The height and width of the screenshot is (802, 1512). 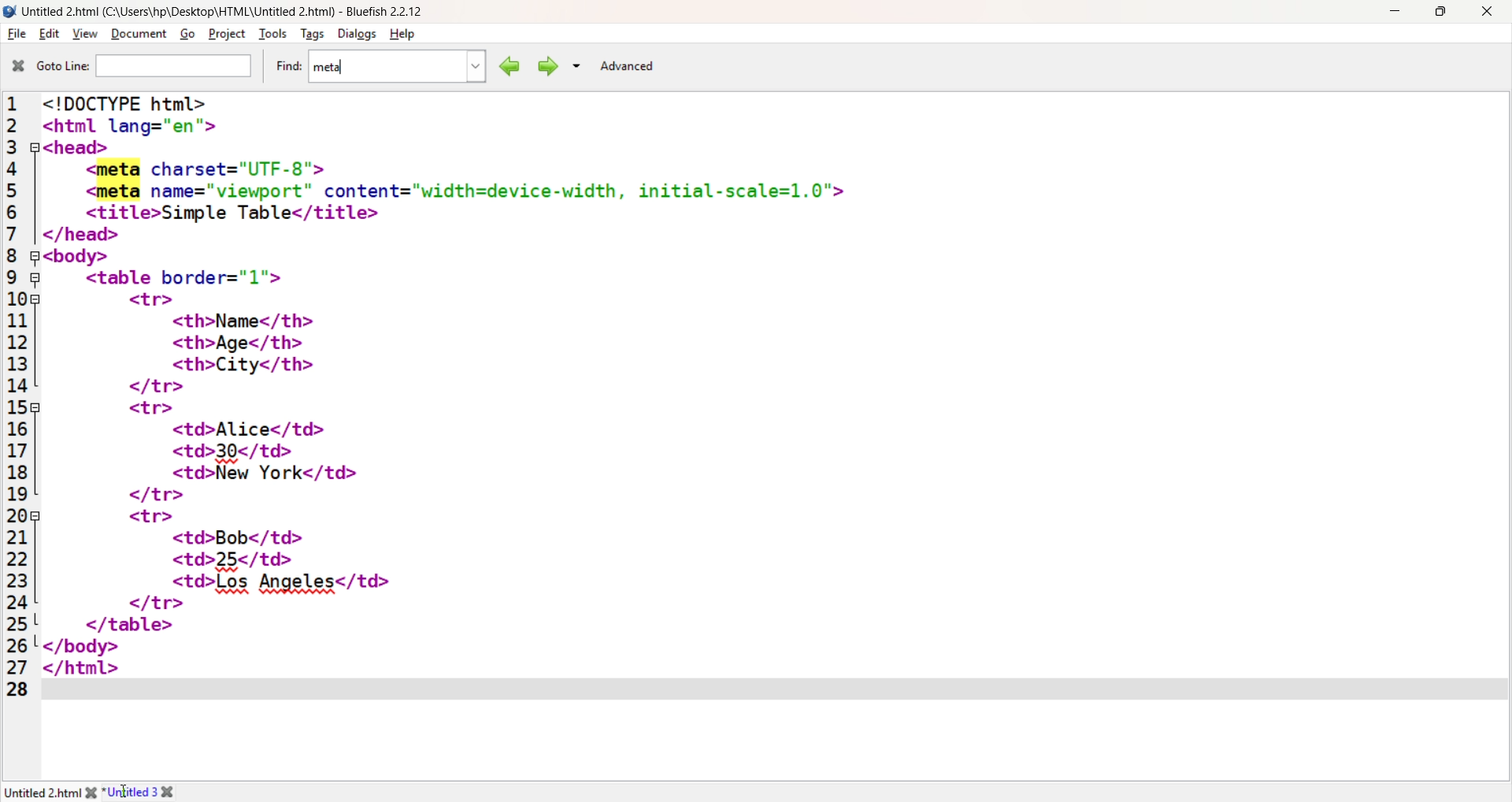 I want to click on <!DOCTYPE html><html lang="en"><head>, so click(x=171, y=124).